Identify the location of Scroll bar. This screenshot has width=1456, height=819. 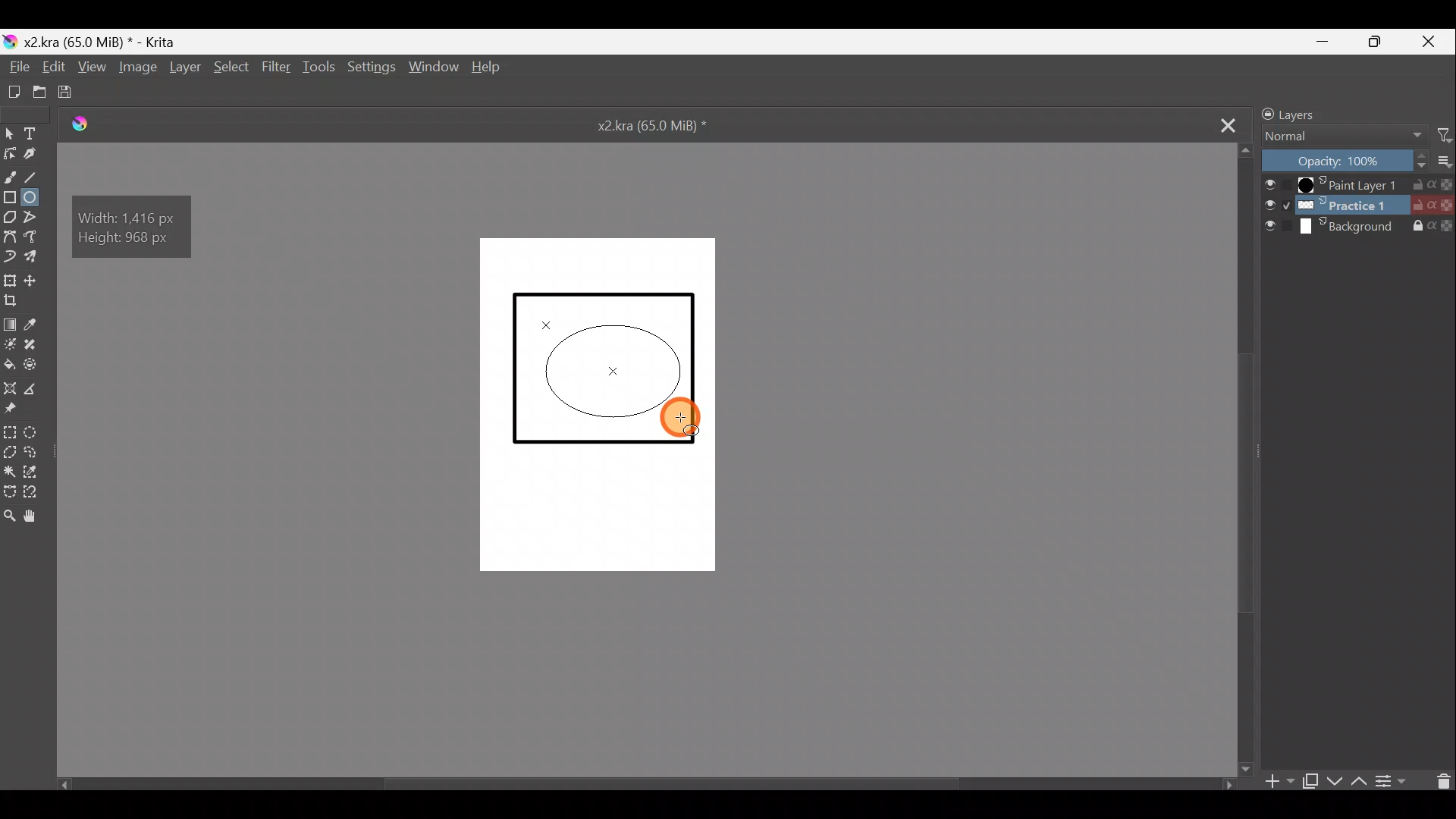
(1247, 459).